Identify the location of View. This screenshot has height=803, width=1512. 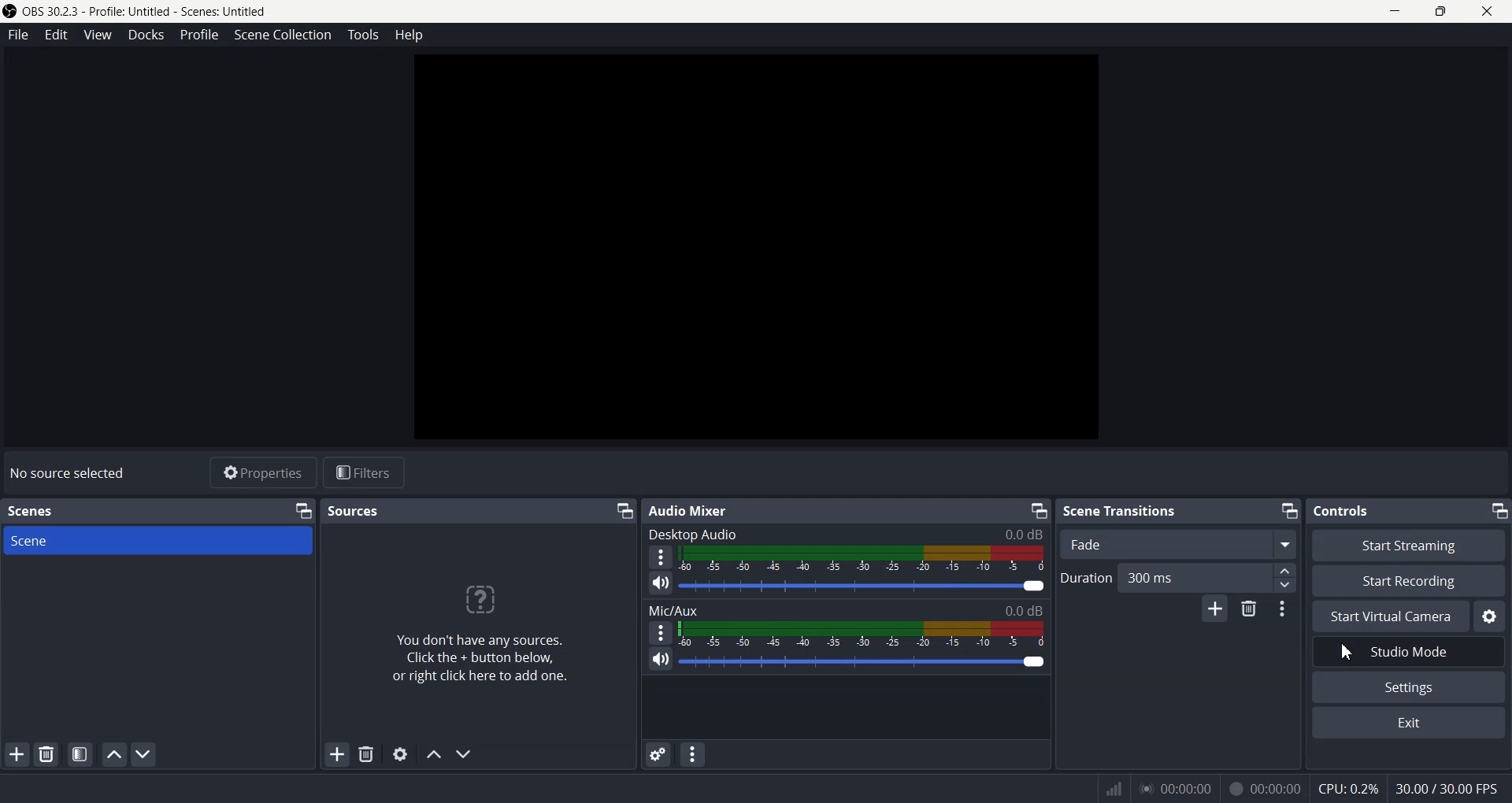
(97, 33).